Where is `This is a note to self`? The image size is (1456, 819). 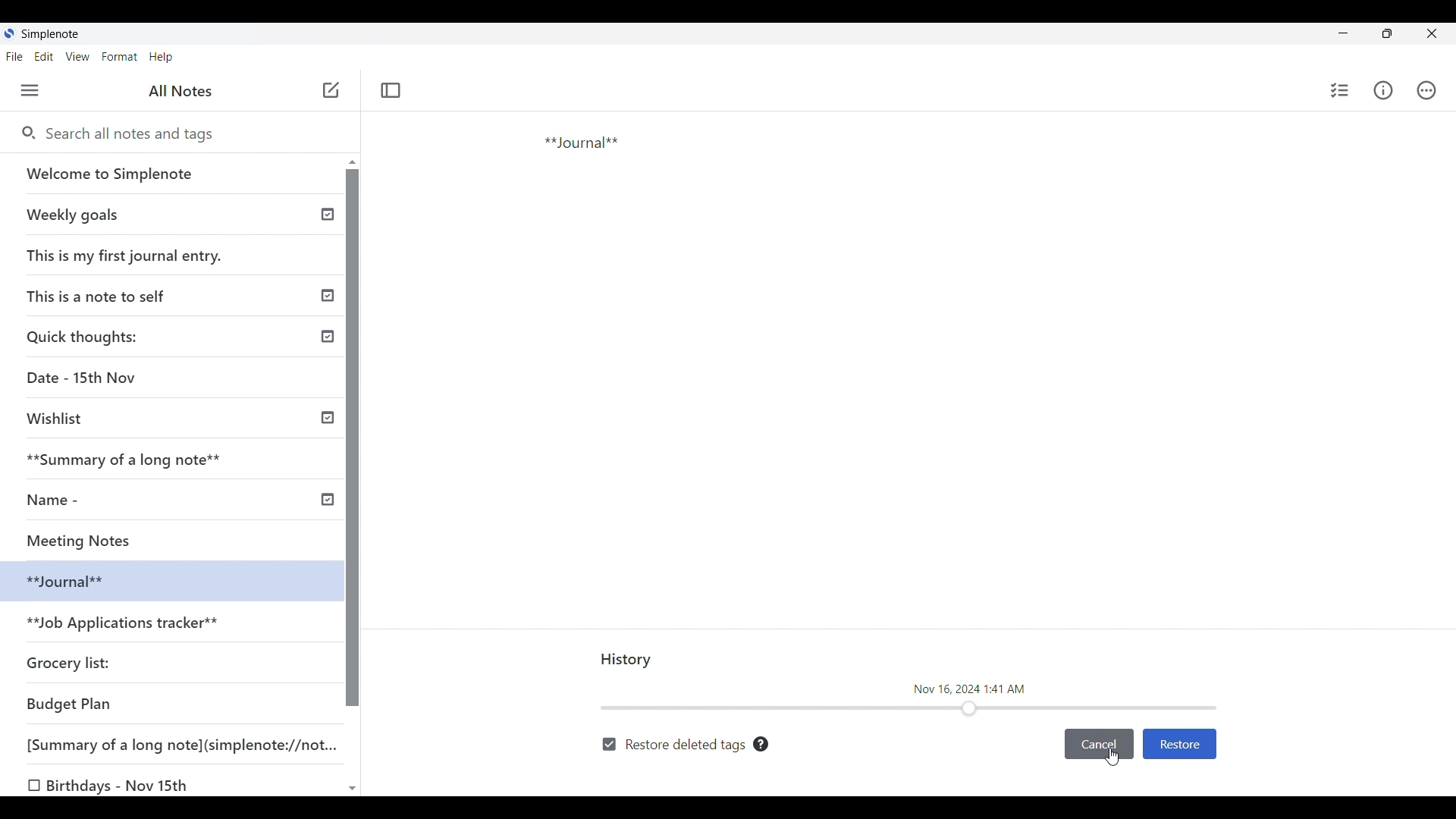 This is a note to self is located at coordinates (102, 295).